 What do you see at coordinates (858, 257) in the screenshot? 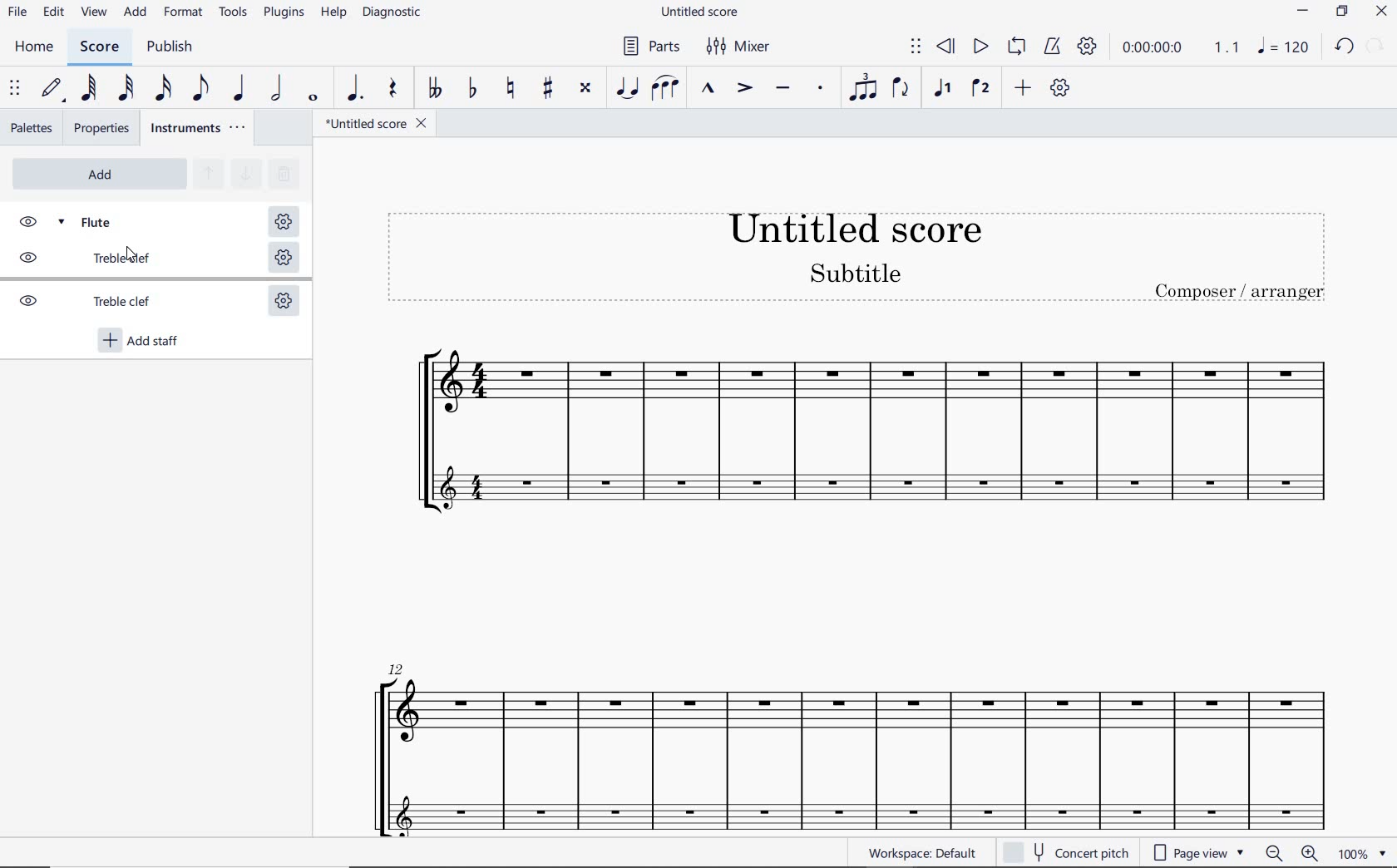
I see `Title` at bounding box center [858, 257].